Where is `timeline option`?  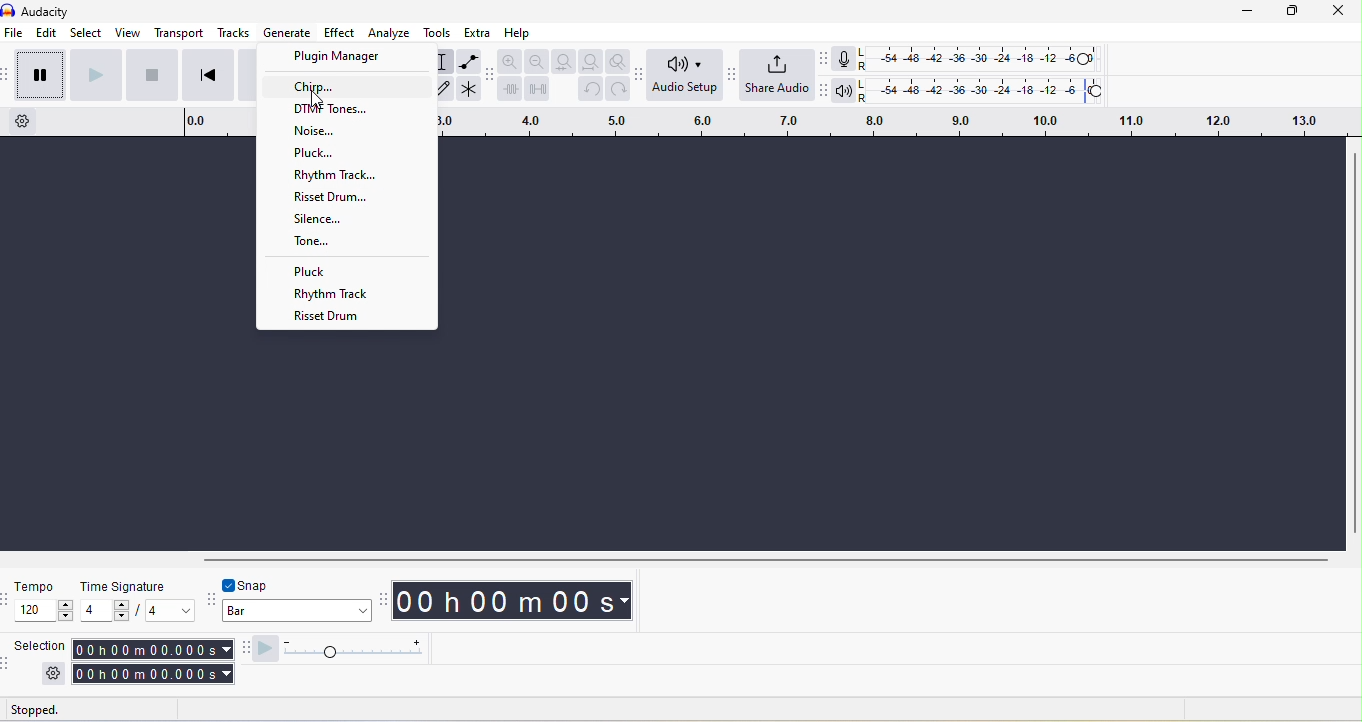 timeline option is located at coordinates (31, 121).